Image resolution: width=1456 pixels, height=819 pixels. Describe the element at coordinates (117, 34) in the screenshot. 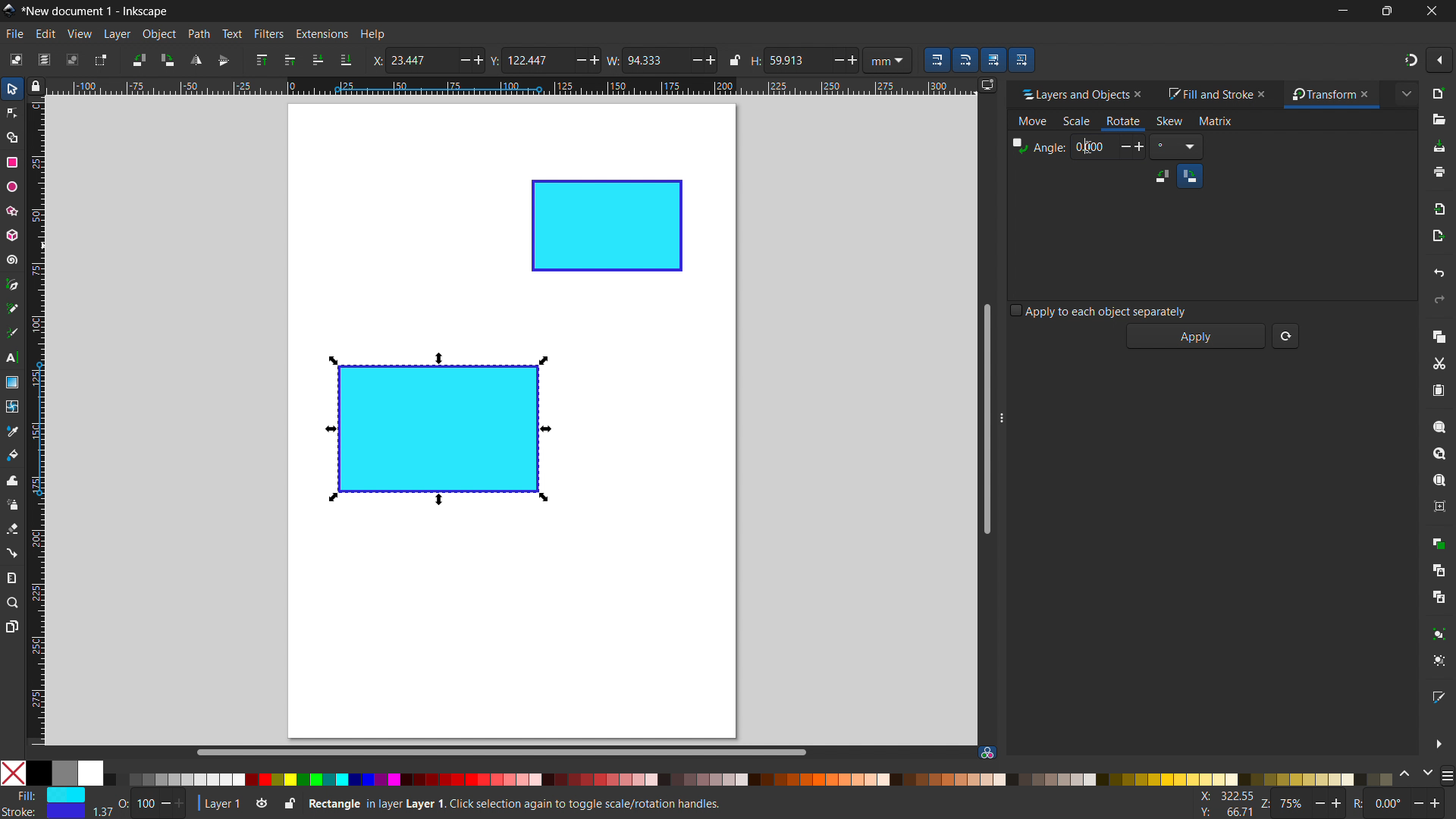

I see `layer` at that location.